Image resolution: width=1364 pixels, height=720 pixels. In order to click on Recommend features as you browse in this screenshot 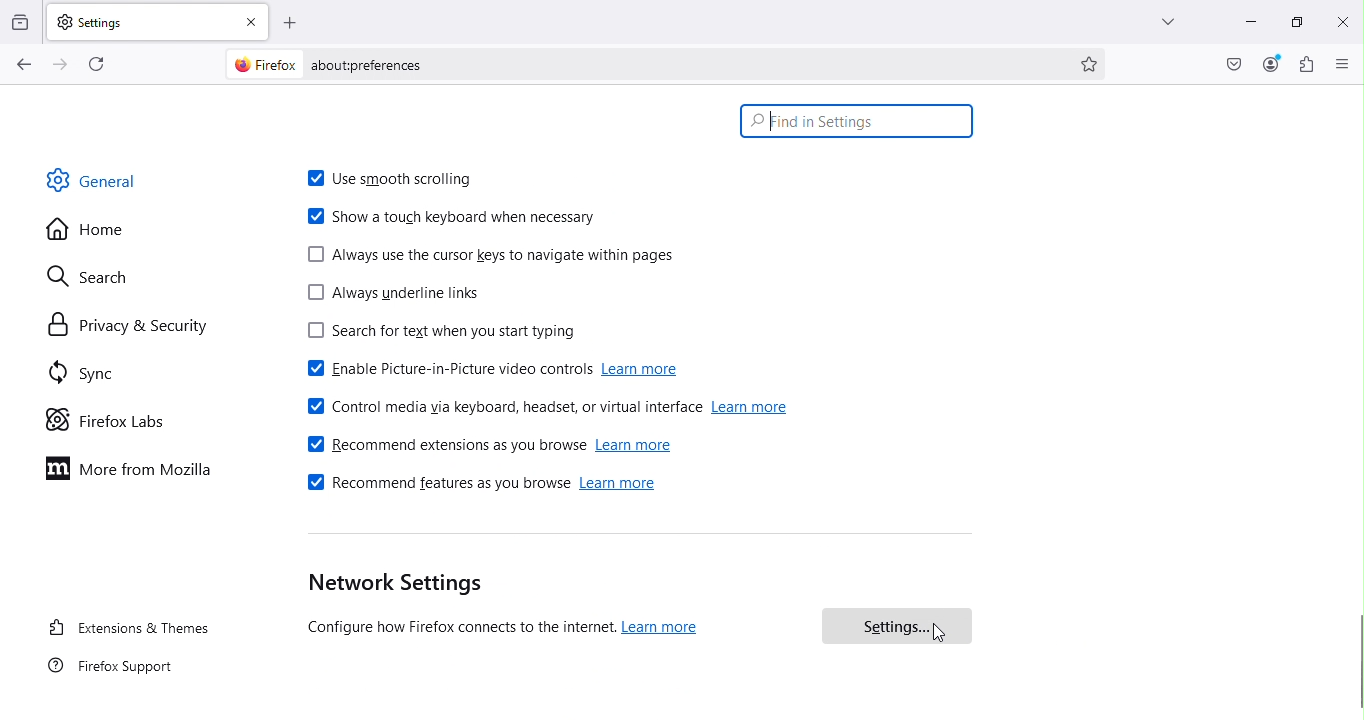, I will do `click(435, 487)`.